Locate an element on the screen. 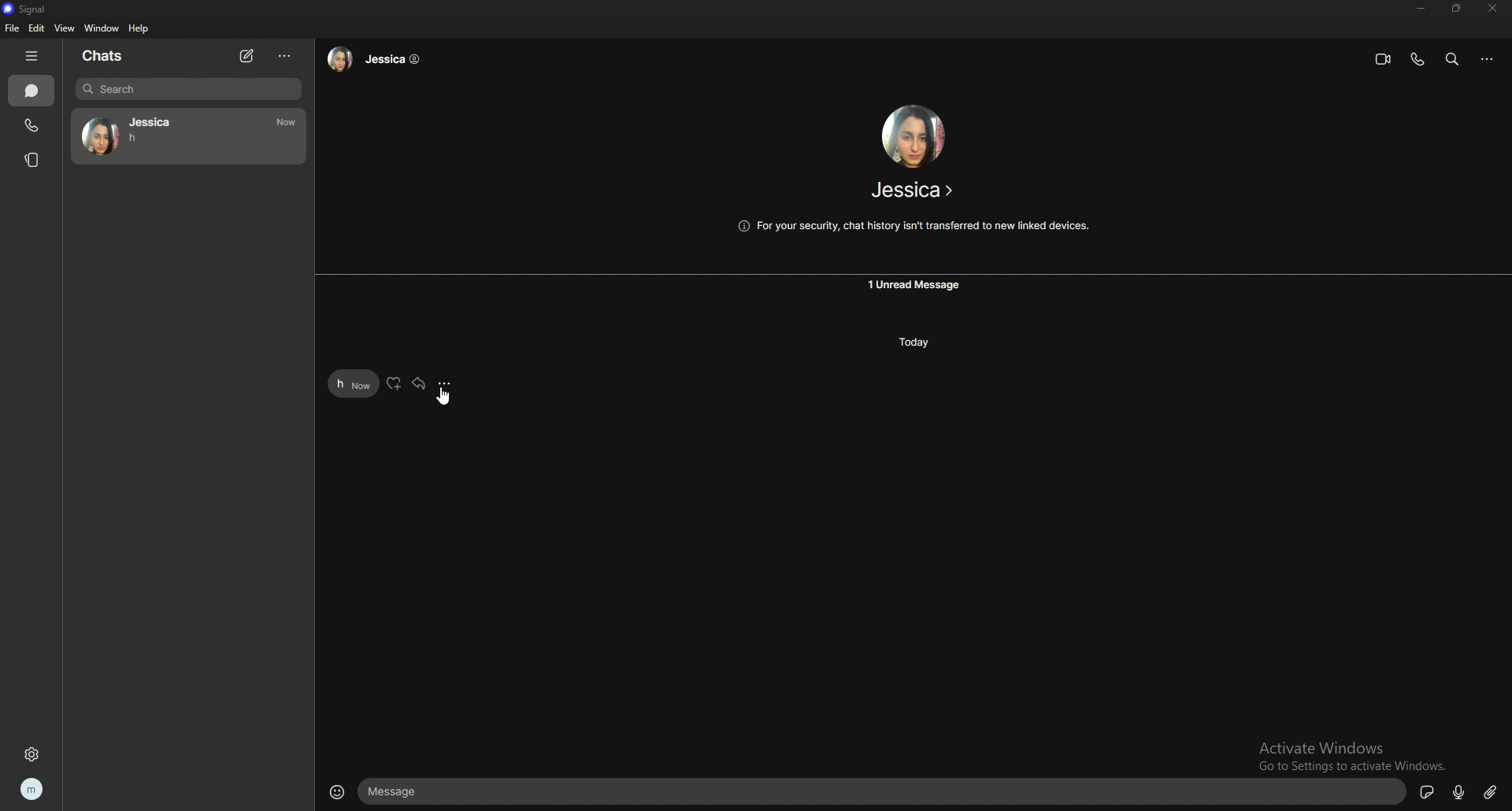  resize is located at coordinates (1455, 9).